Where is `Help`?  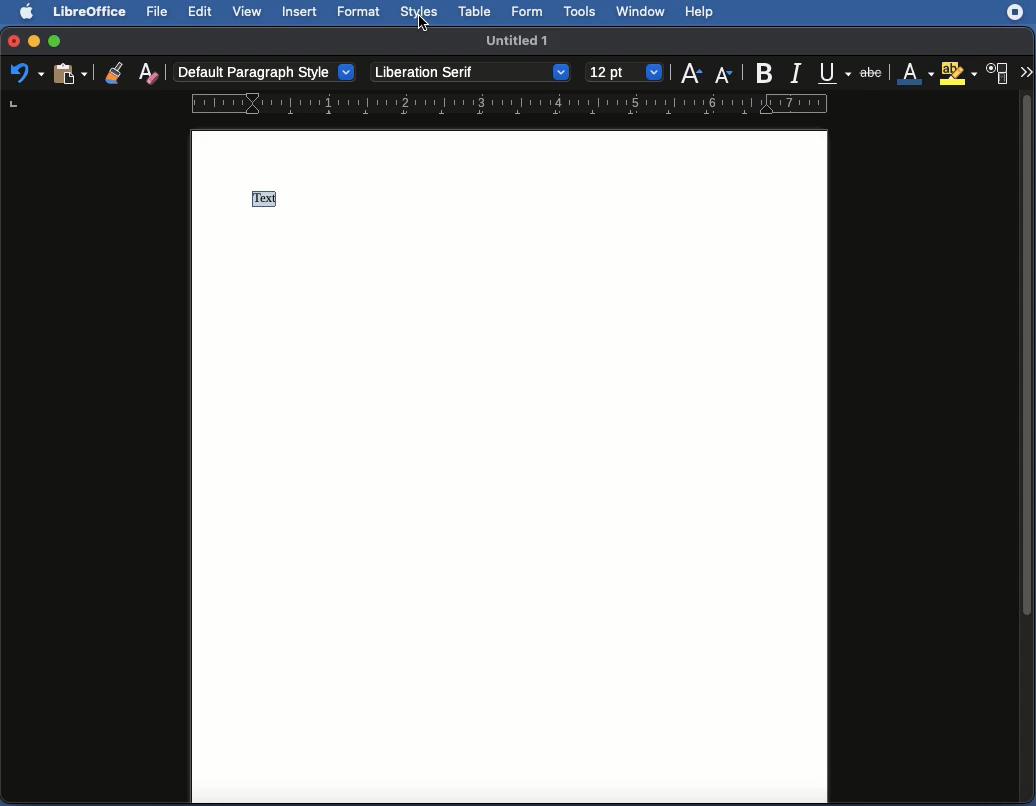
Help is located at coordinates (701, 11).